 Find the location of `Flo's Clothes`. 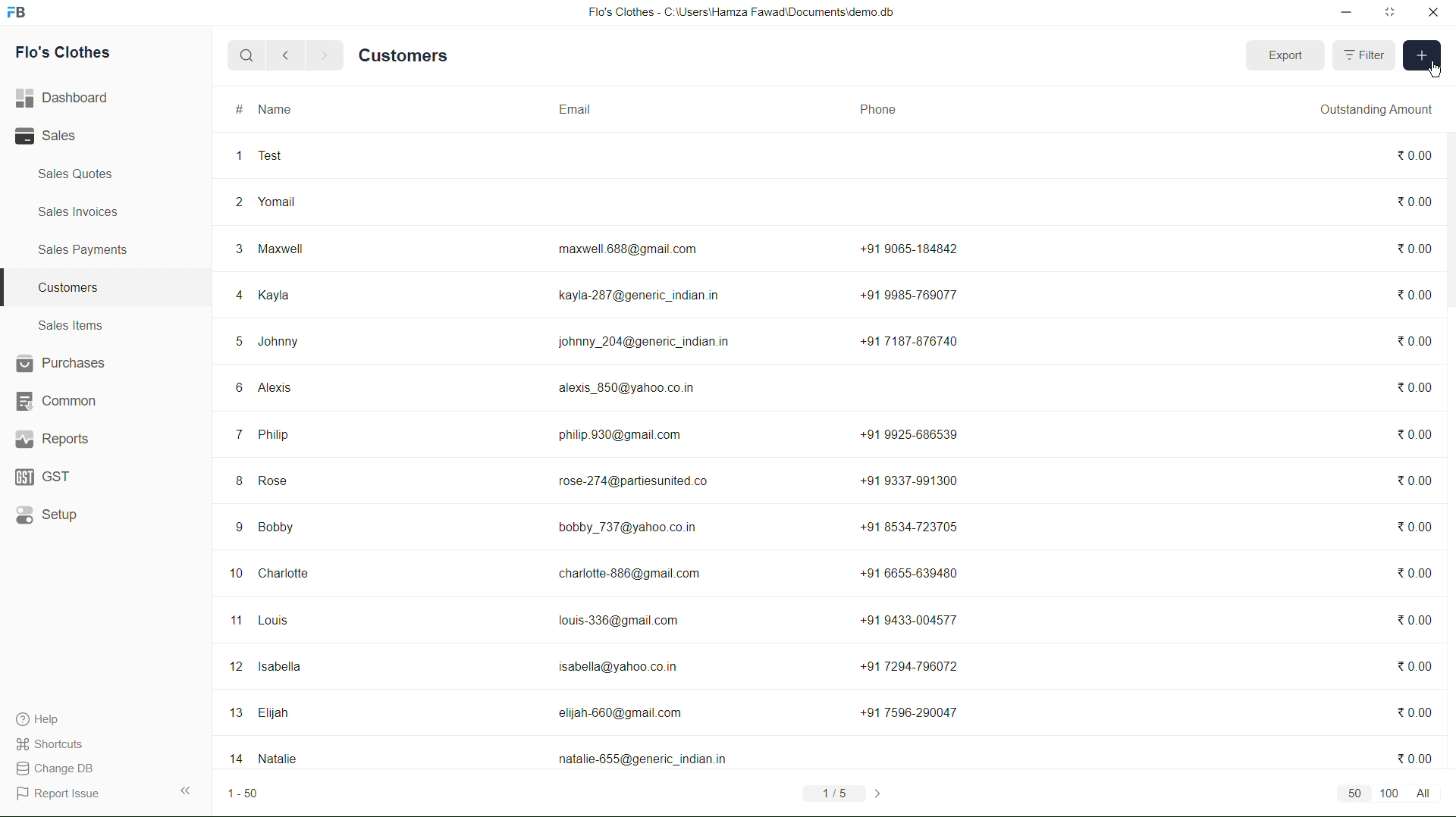

Flo's Clothes is located at coordinates (59, 55).